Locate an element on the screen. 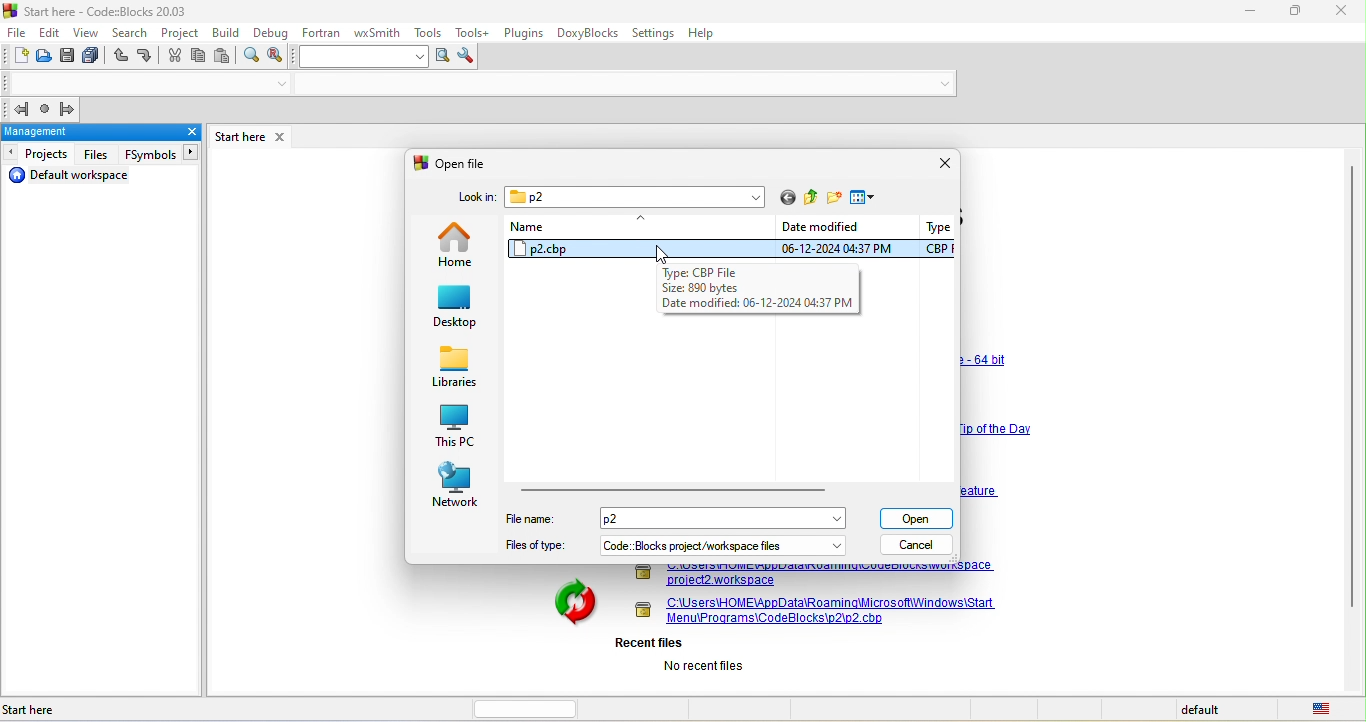 The height and width of the screenshot is (722, 1366). name is located at coordinates (642, 228).